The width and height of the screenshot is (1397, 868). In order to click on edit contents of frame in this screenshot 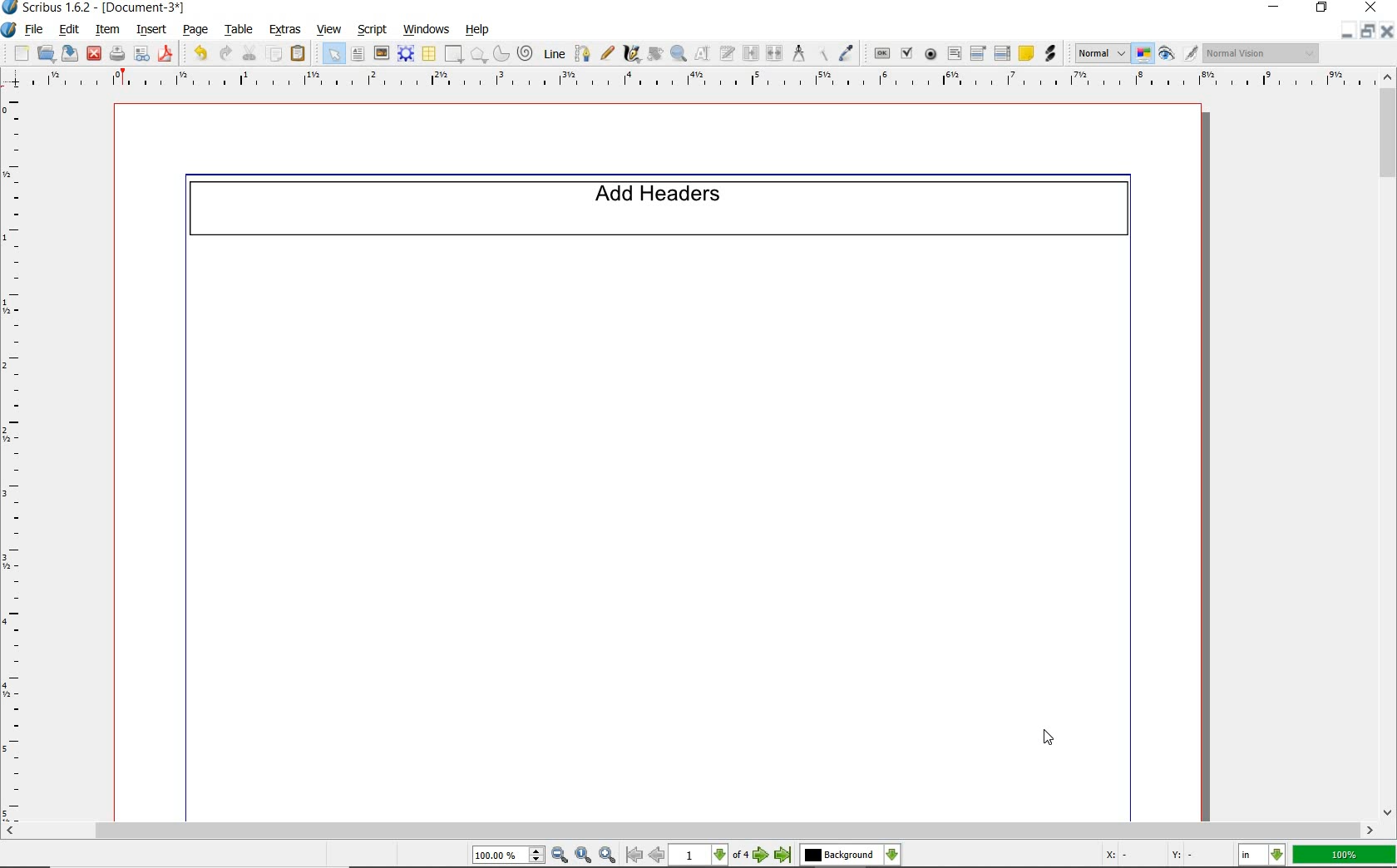, I will do `click(703, 53)`.